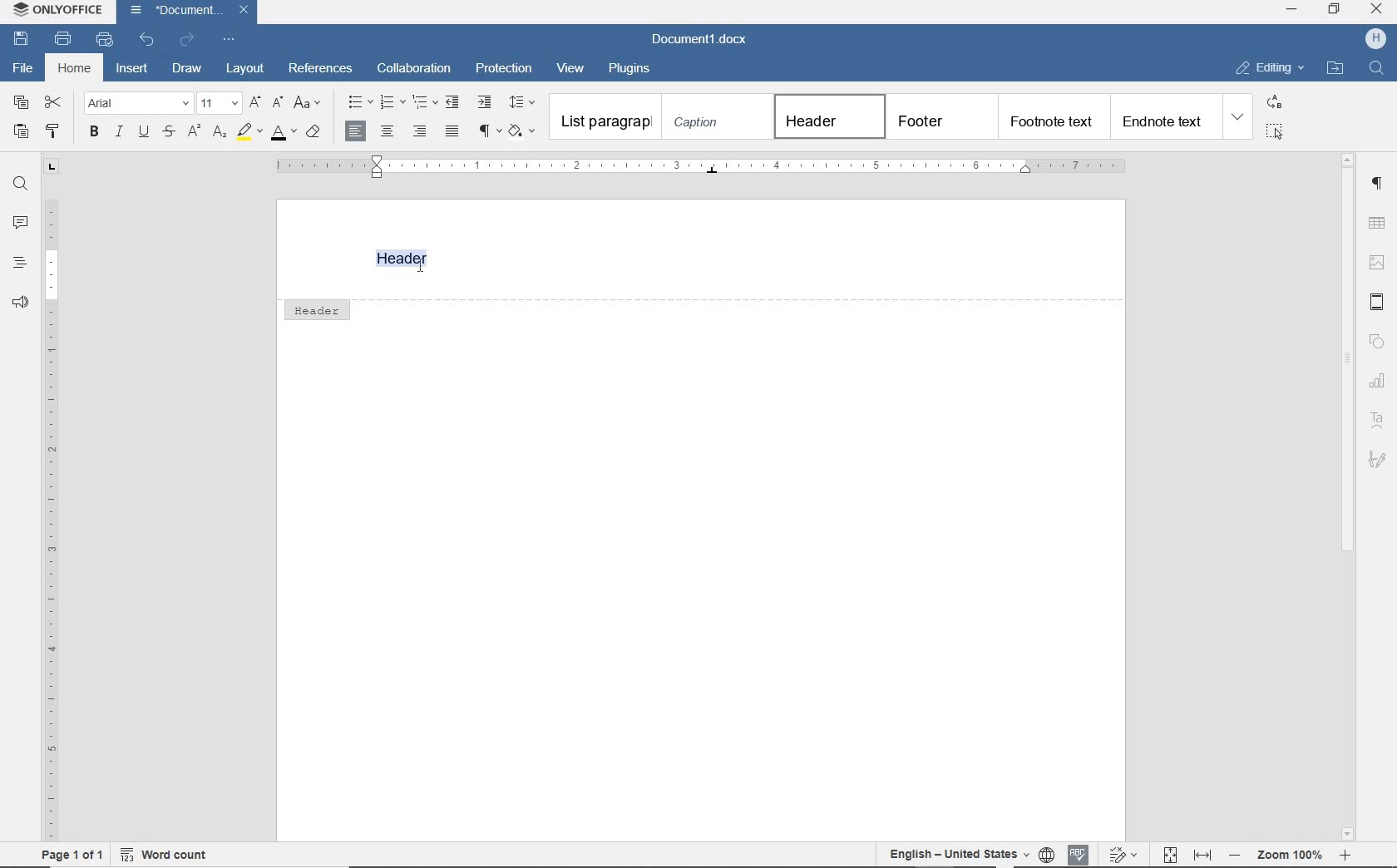 The height and width of the screenshot is (868, 1397). What do you see at coordinates (454, 101) in the screenshot?
I see `decrease indent` at bounding box center [454, 101].